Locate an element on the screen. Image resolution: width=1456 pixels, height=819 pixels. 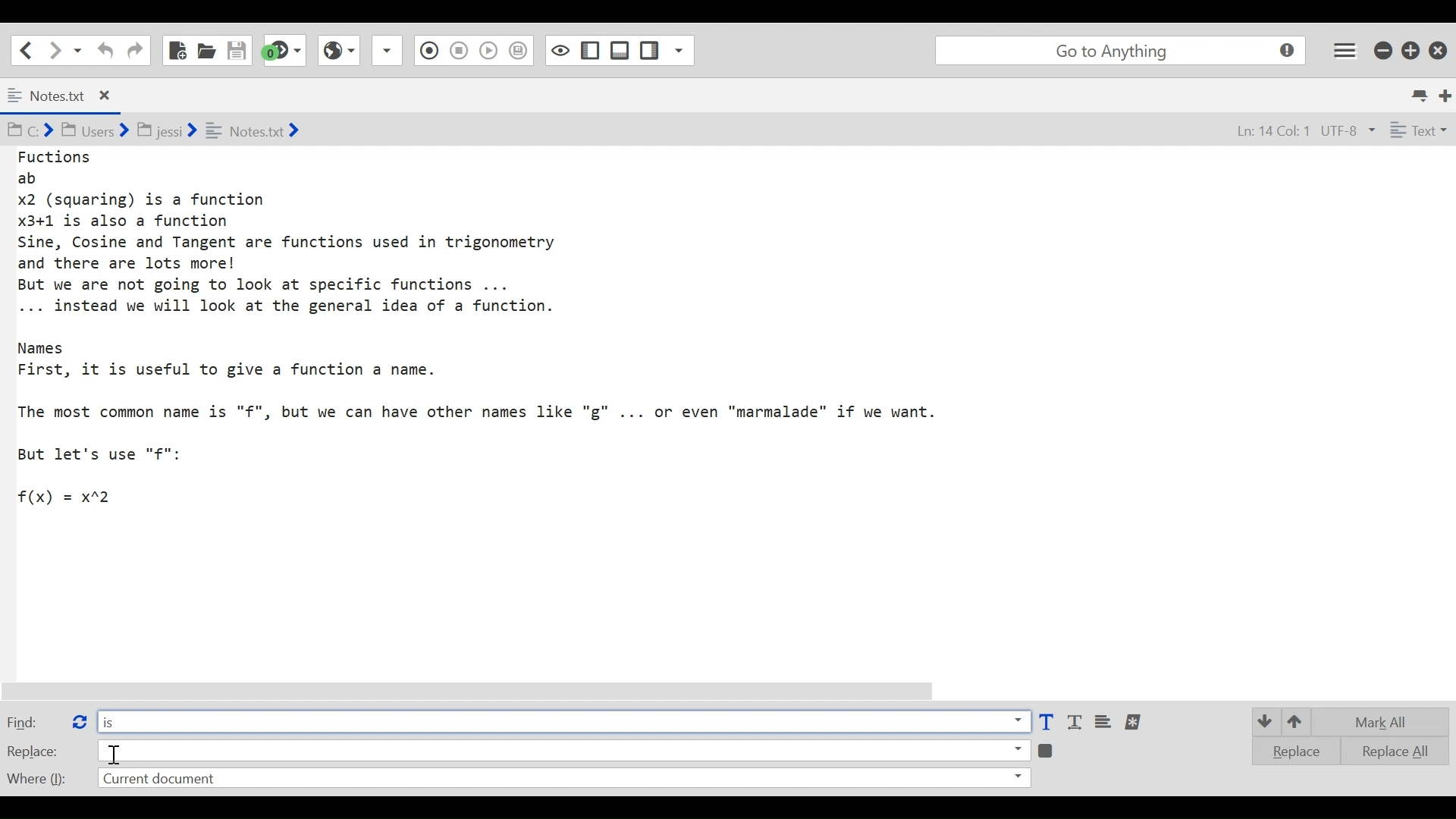
Stop Recording Macro is located at coordinates (427, 52).